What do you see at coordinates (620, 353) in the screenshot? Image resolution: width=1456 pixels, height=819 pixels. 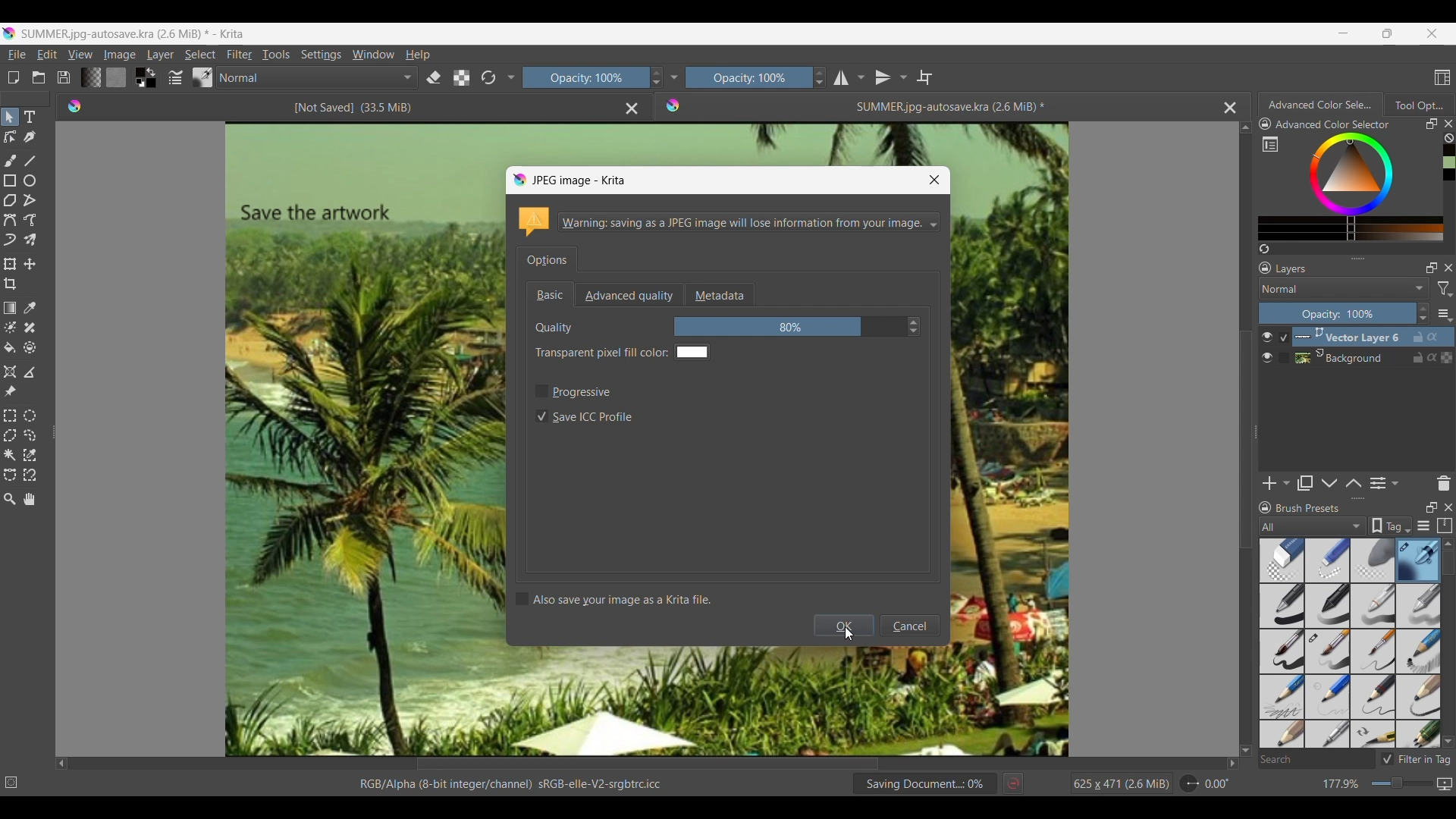 I see `Transparent pixel fill color` at bounding box center [620, 353].